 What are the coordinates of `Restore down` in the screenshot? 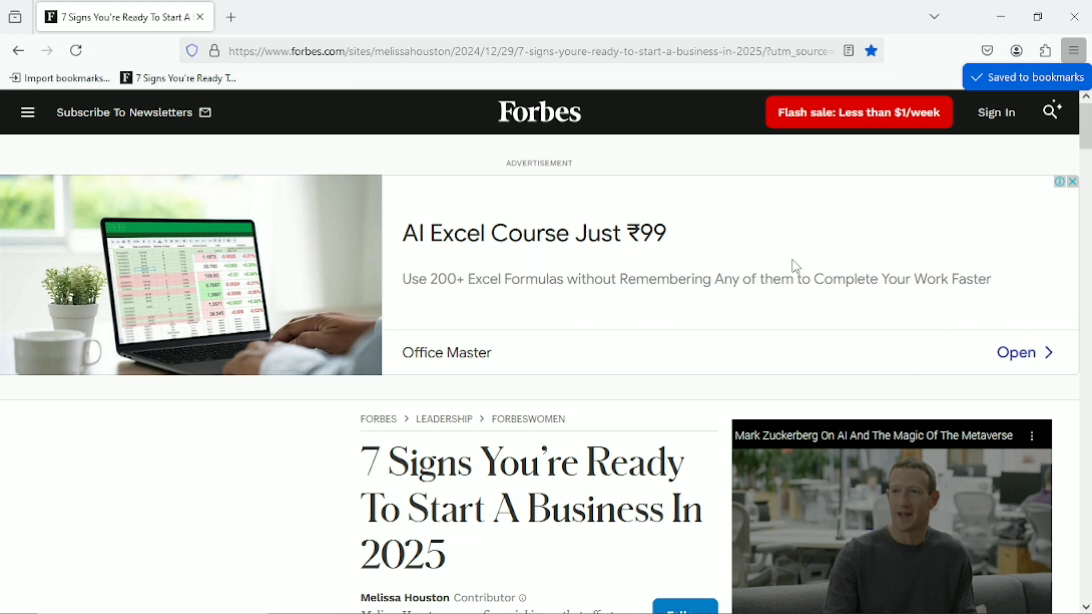 It's located at (1036, 16).